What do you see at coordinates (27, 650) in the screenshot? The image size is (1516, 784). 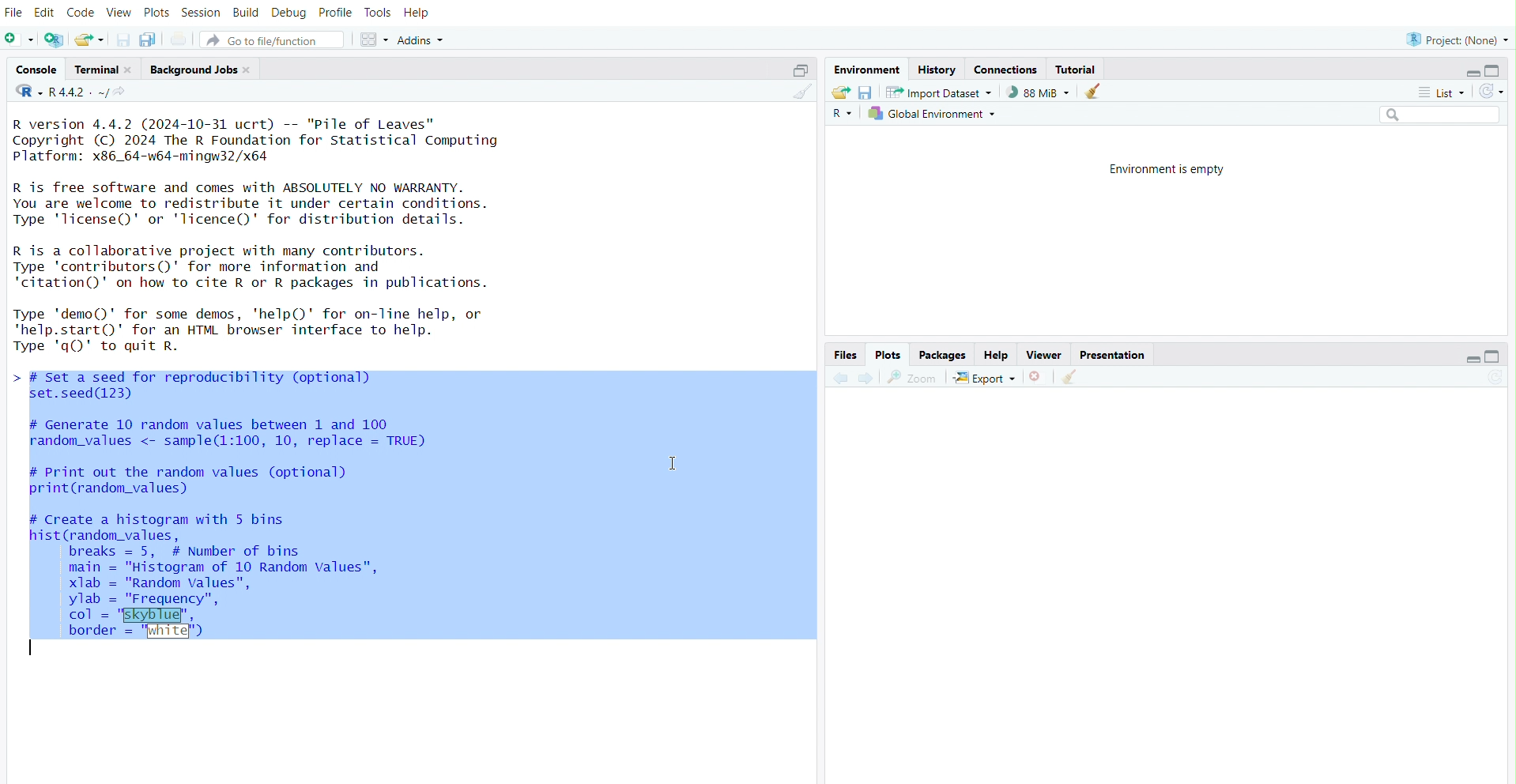 I see `typing cursor` at bounding box center [27, 650].